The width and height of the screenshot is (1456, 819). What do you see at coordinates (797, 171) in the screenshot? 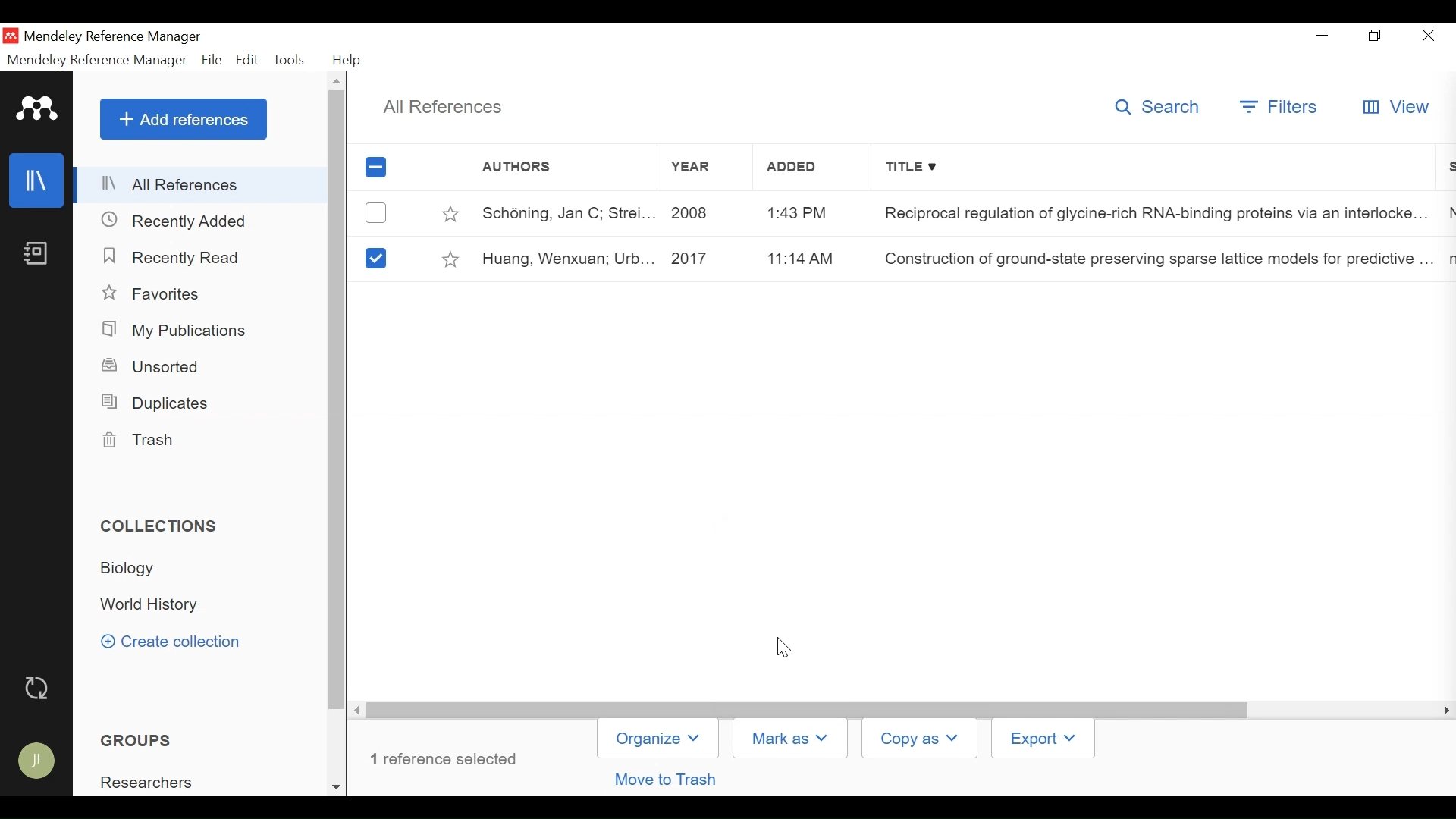
I see `Added` at bounding box center [797, 171].